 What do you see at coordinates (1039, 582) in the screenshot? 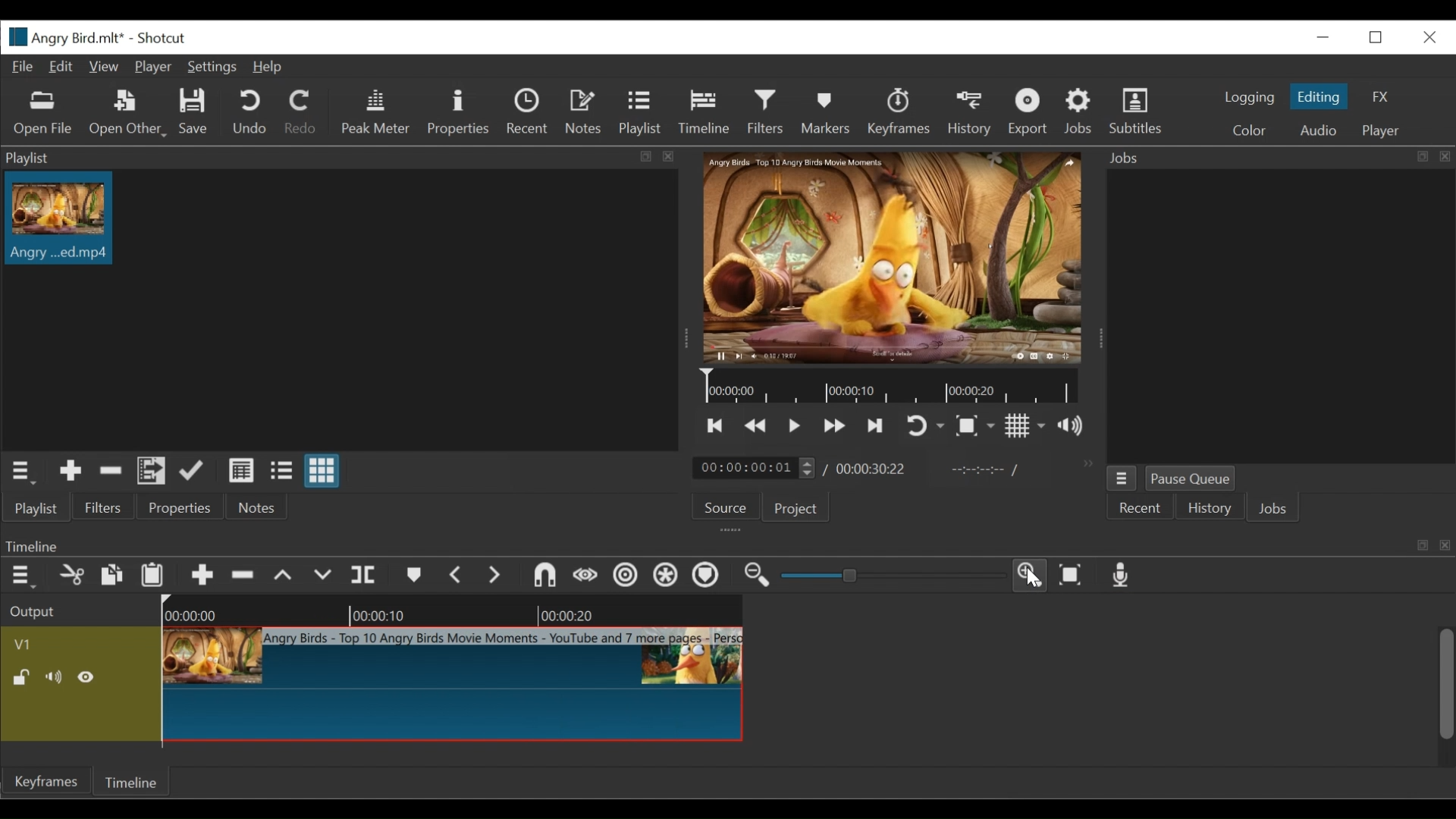
I see `cursor` at bounding box center [1039, 582].